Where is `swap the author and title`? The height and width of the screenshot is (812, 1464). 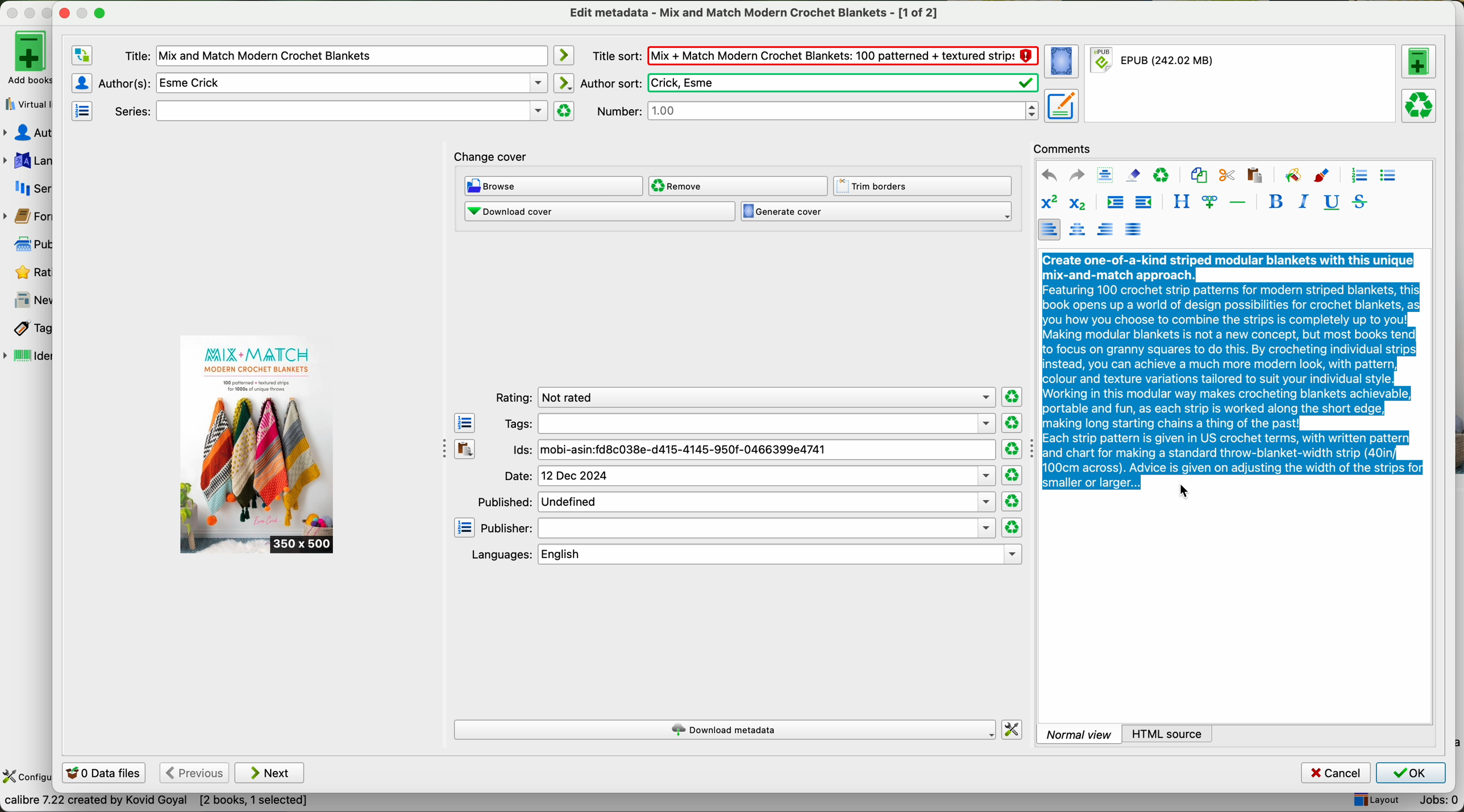
swap the author and title is located at coordinates (82, 56).